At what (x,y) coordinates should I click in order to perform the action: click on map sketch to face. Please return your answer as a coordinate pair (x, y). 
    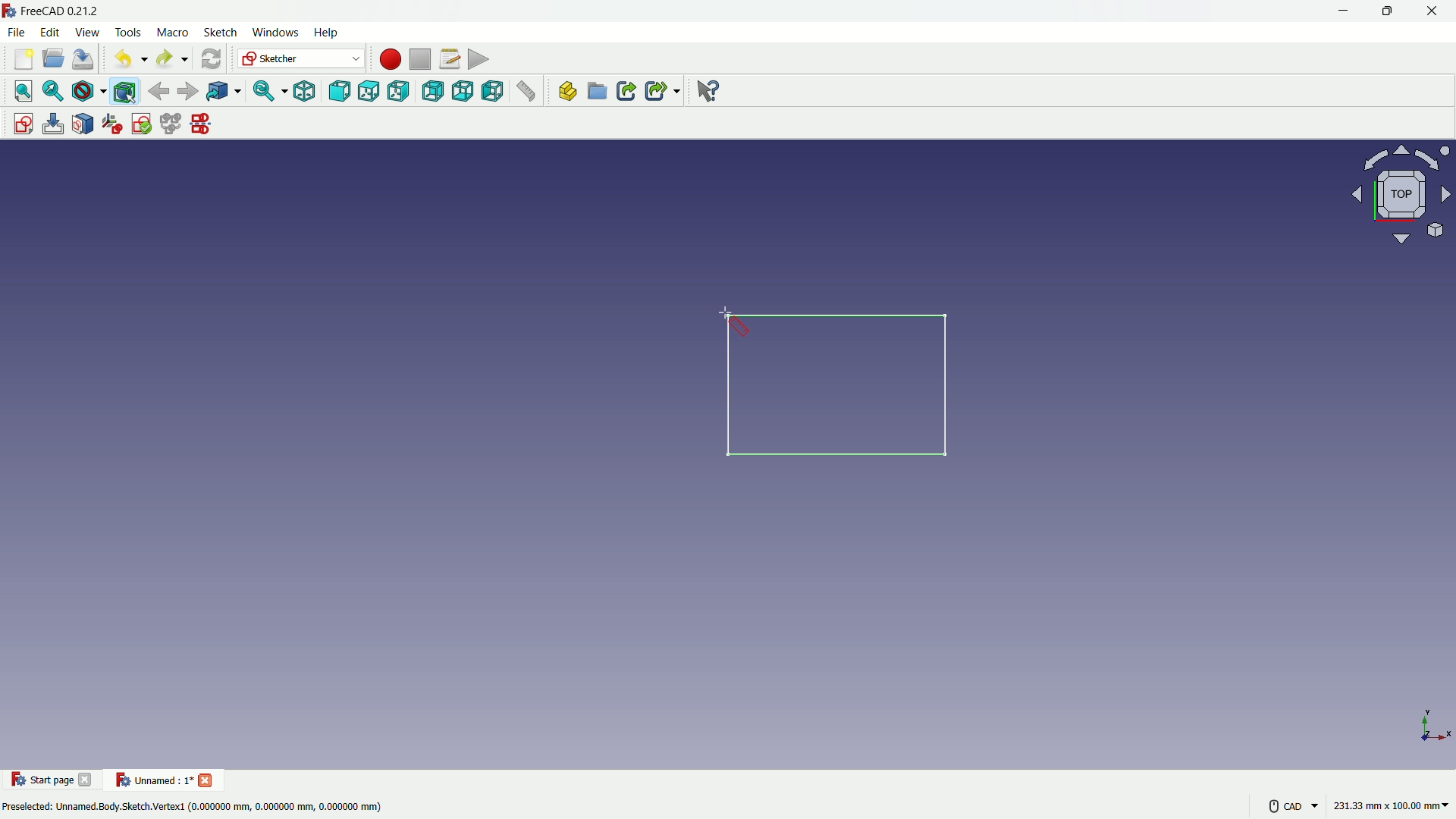
    Looking at the image, I should click on (83, 124).